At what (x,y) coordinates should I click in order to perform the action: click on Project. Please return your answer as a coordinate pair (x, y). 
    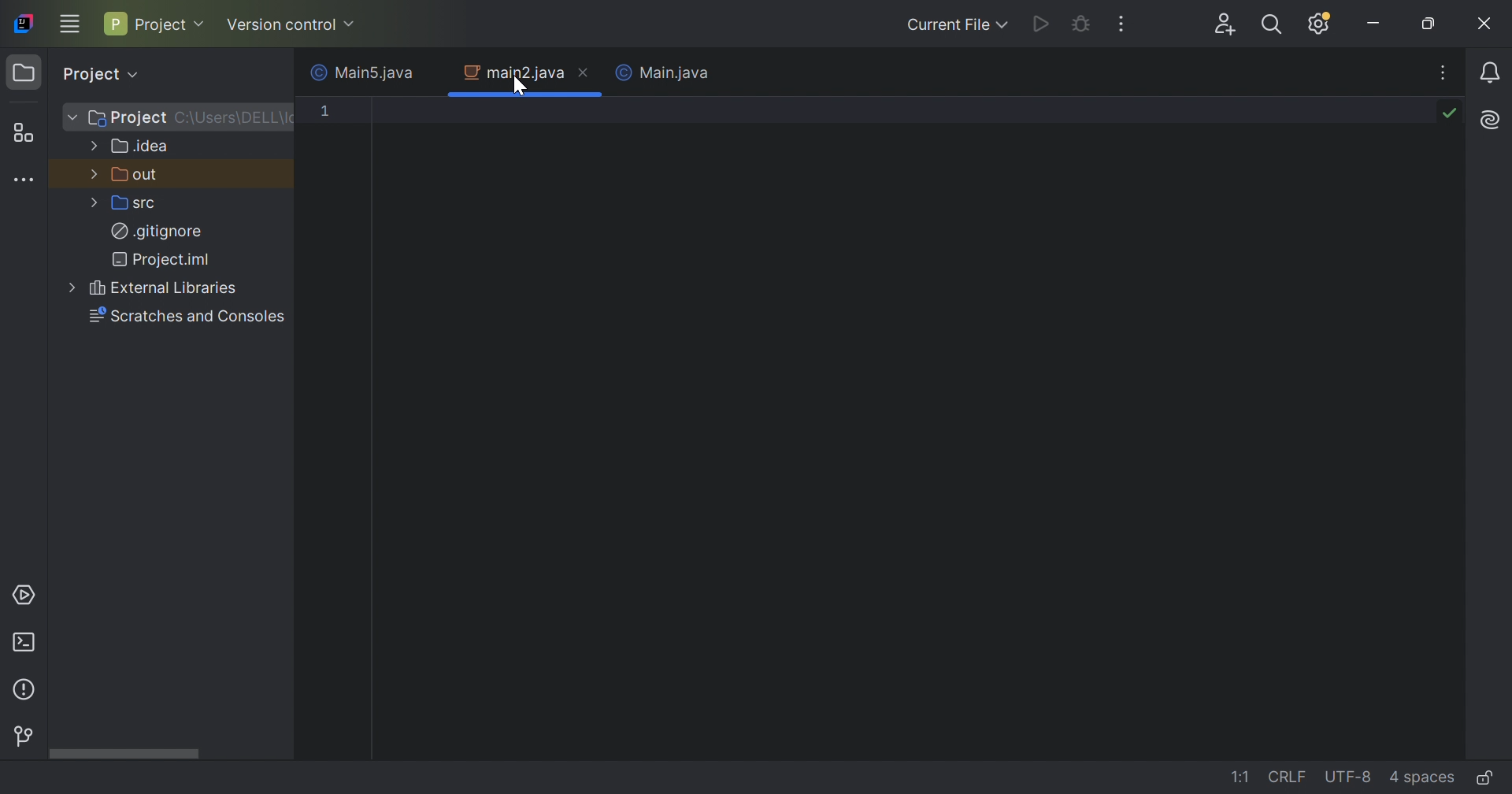
    Looking at the image, I should click on (98, 74).